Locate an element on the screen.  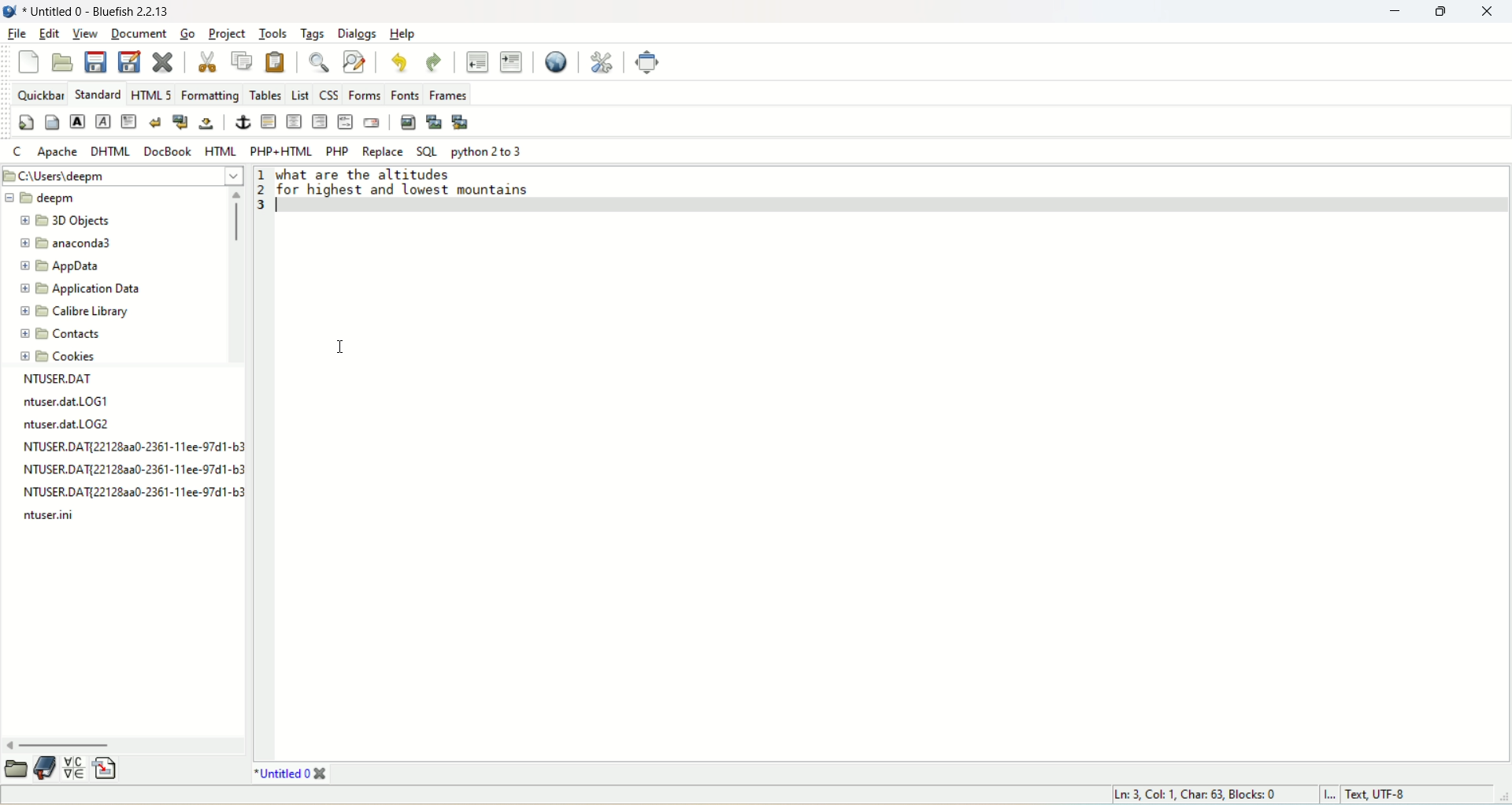
file is located at coordinates (19, 35).